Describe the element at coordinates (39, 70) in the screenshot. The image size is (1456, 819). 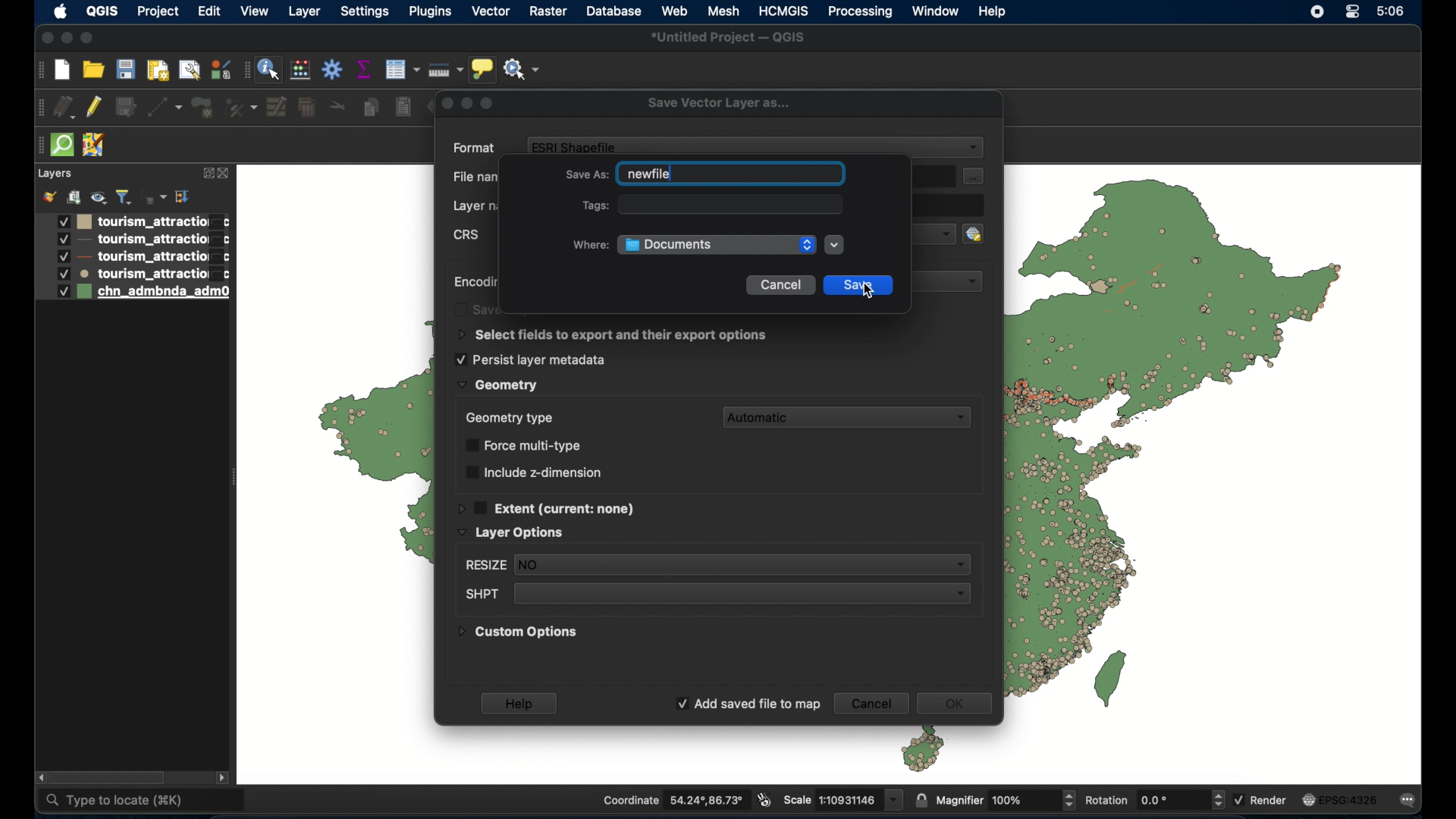
I see `drag handle` at that location.